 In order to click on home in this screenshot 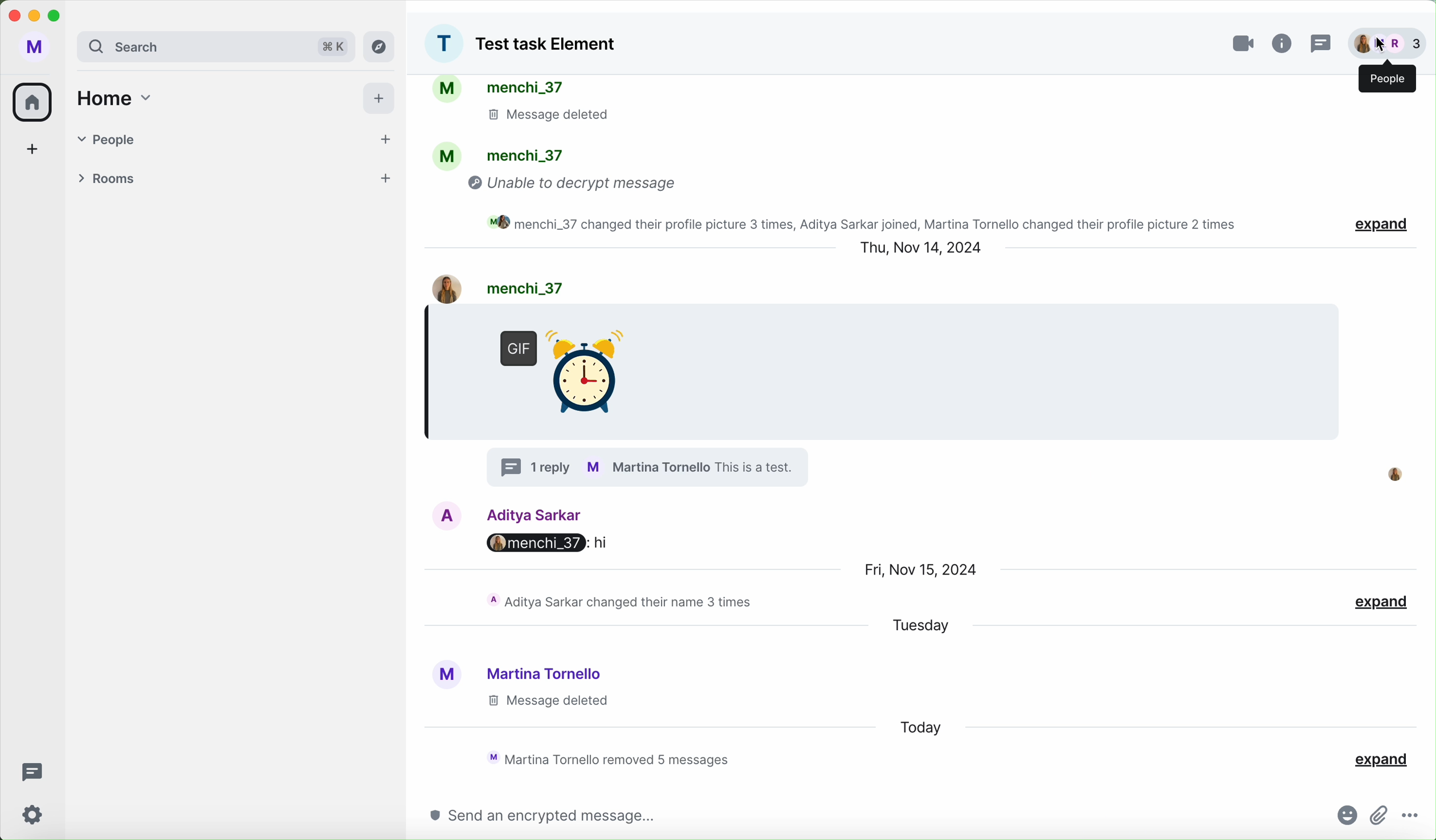, I will do `click(119, 100)`.